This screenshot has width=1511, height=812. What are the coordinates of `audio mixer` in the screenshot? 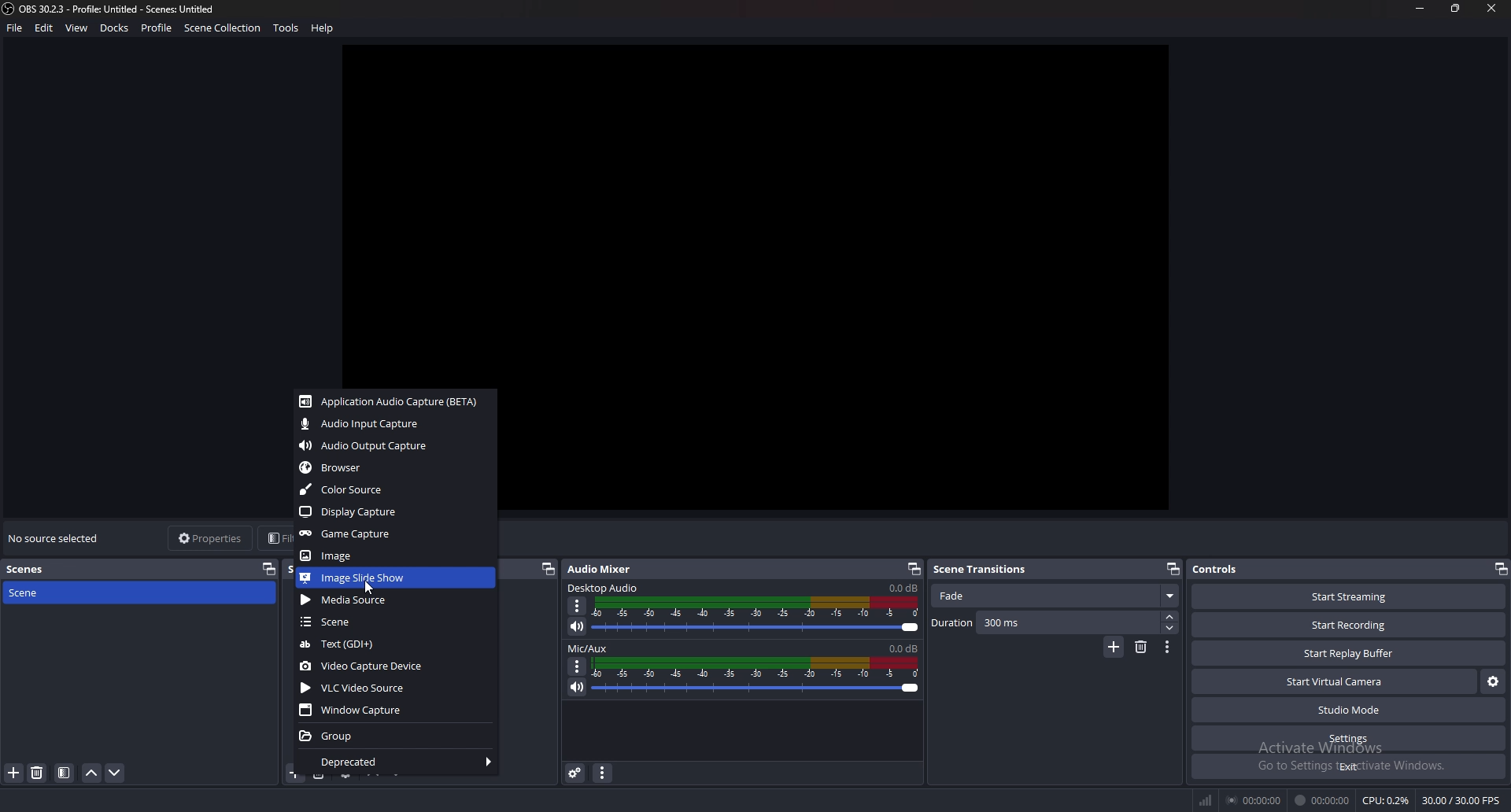 It's located at (608, 568).